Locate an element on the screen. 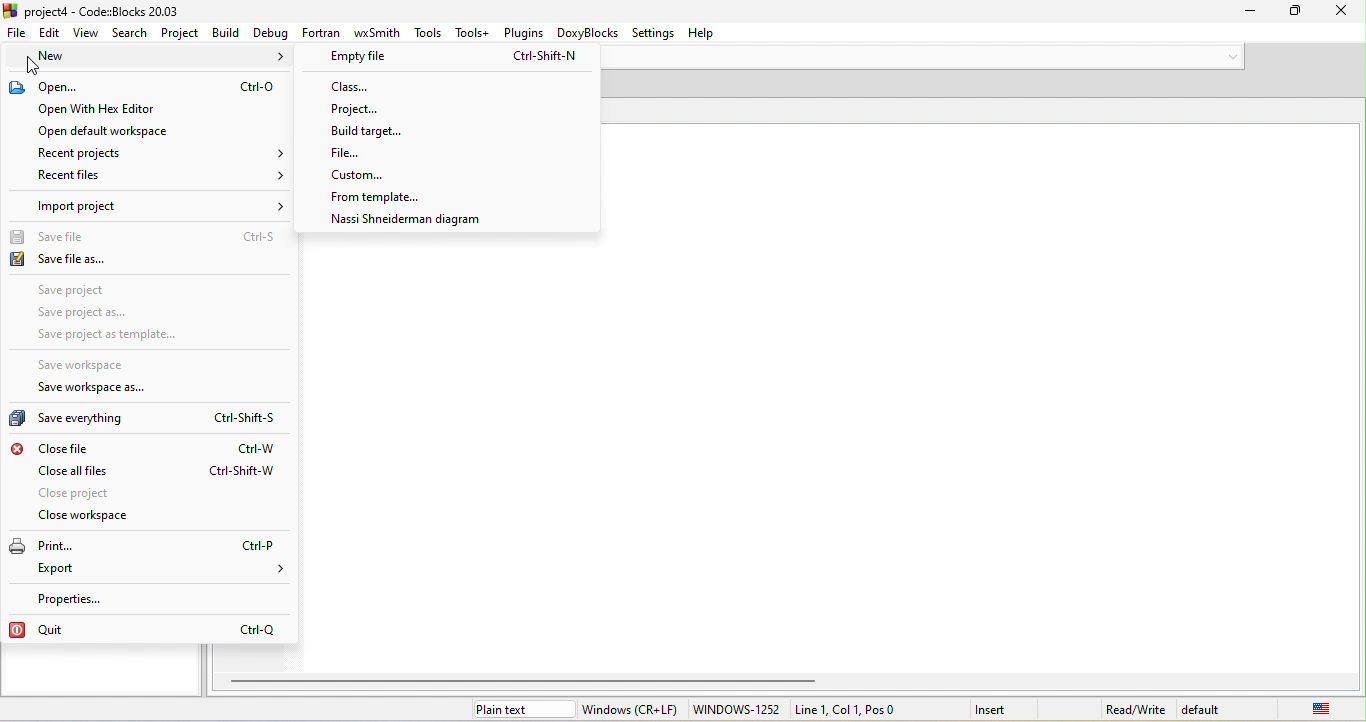 The width and height of the screenshot is (1366, 722). read\write is located at coordinates (1135, 706).